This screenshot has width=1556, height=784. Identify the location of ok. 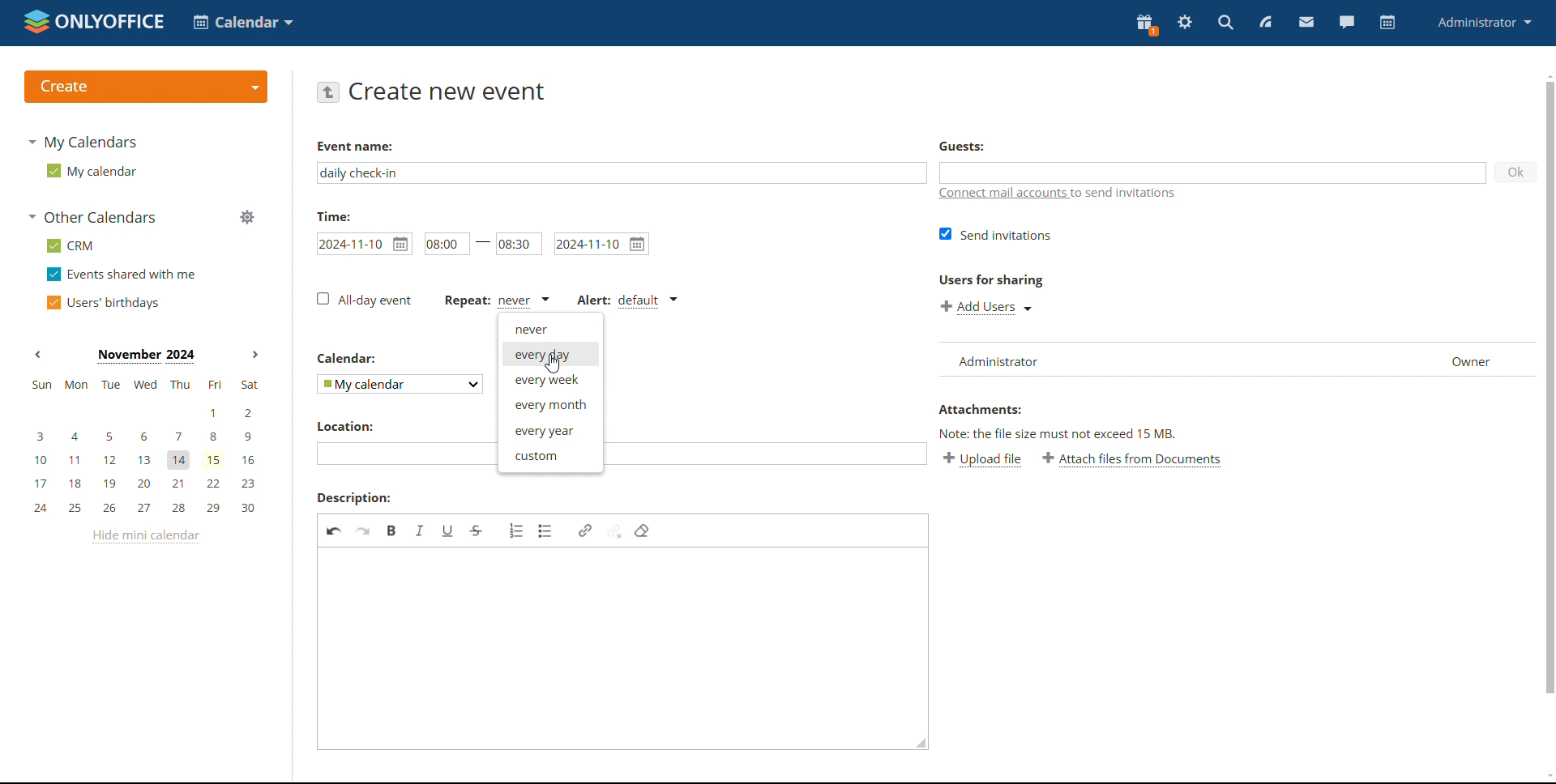
(1511, 170).